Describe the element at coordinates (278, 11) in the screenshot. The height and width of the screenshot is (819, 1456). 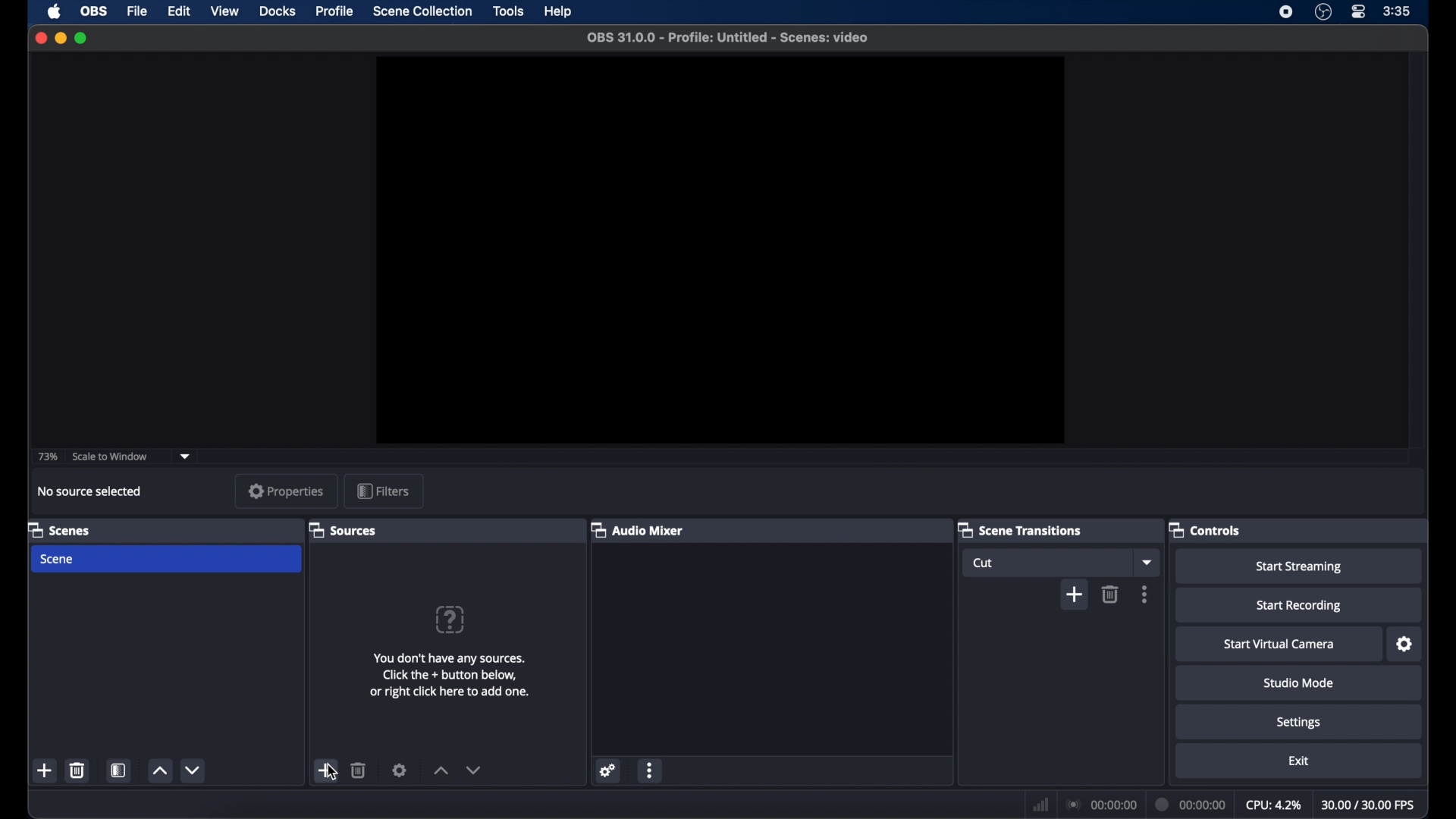
I see `docks` at that location.